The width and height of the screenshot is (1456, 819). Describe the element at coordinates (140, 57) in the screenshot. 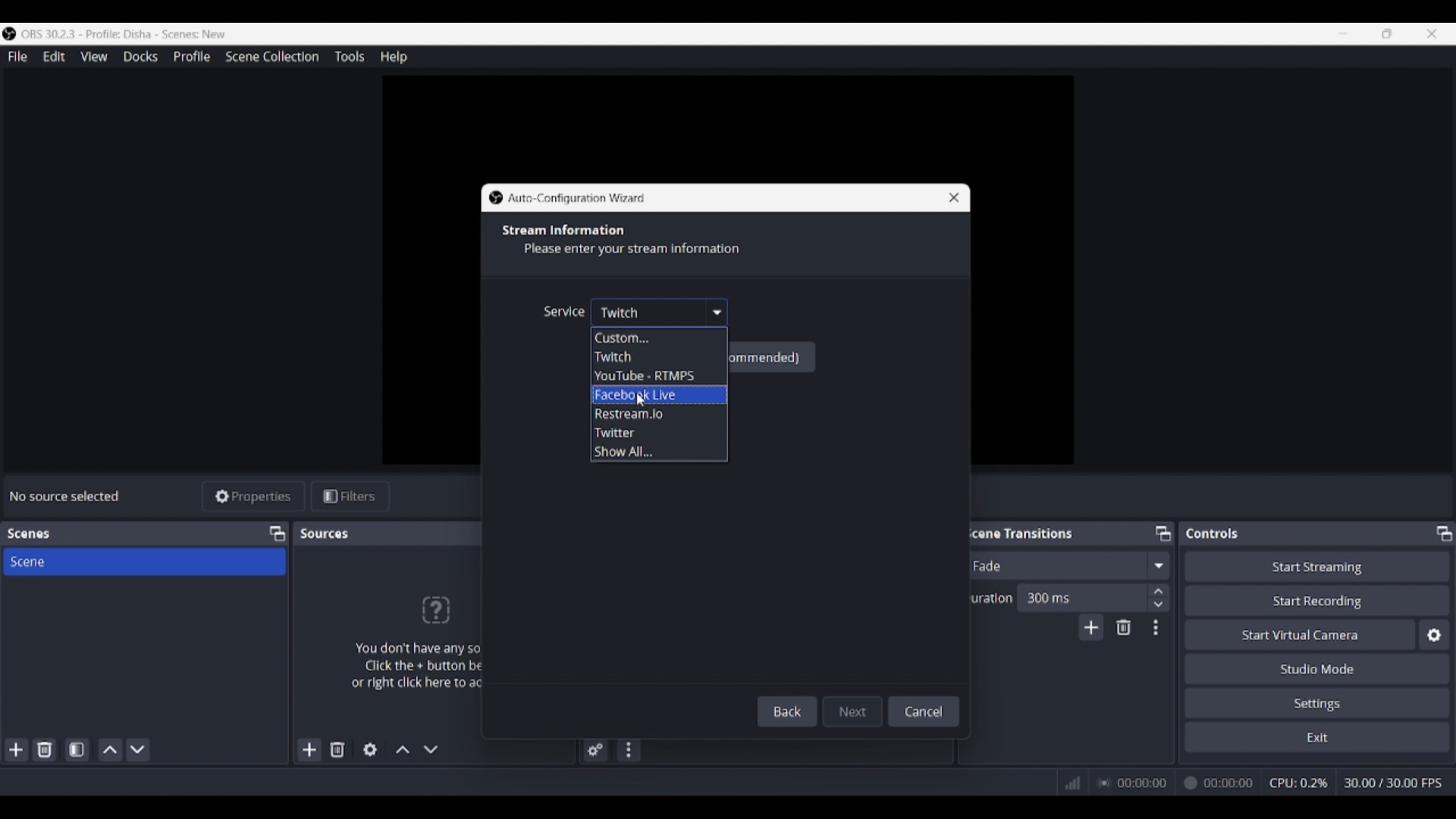

I see `Docks menu` at that location.